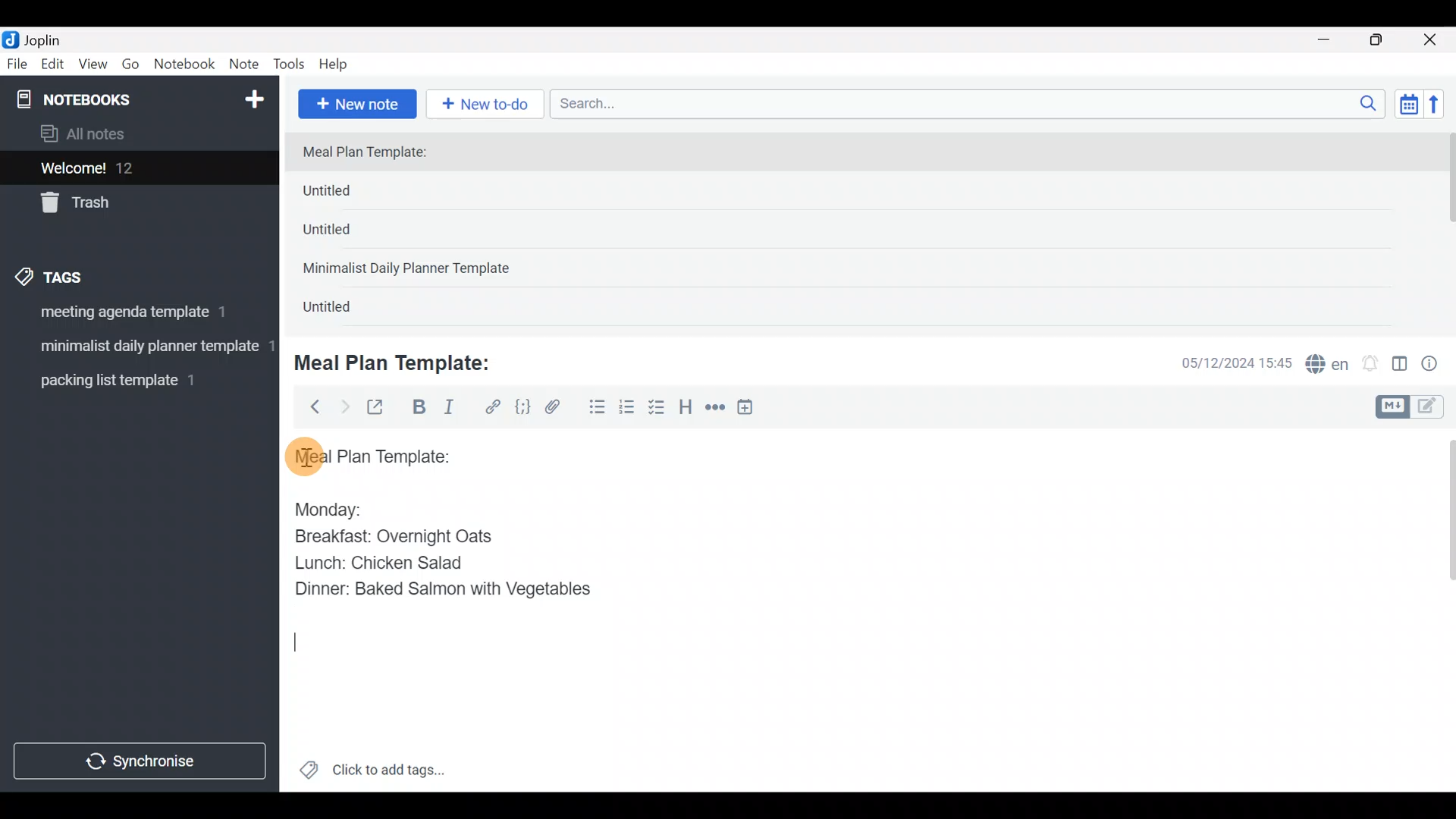  Describe the element at coordinates (135, 316) in the screenshot. I see `Tag 1` at that location.